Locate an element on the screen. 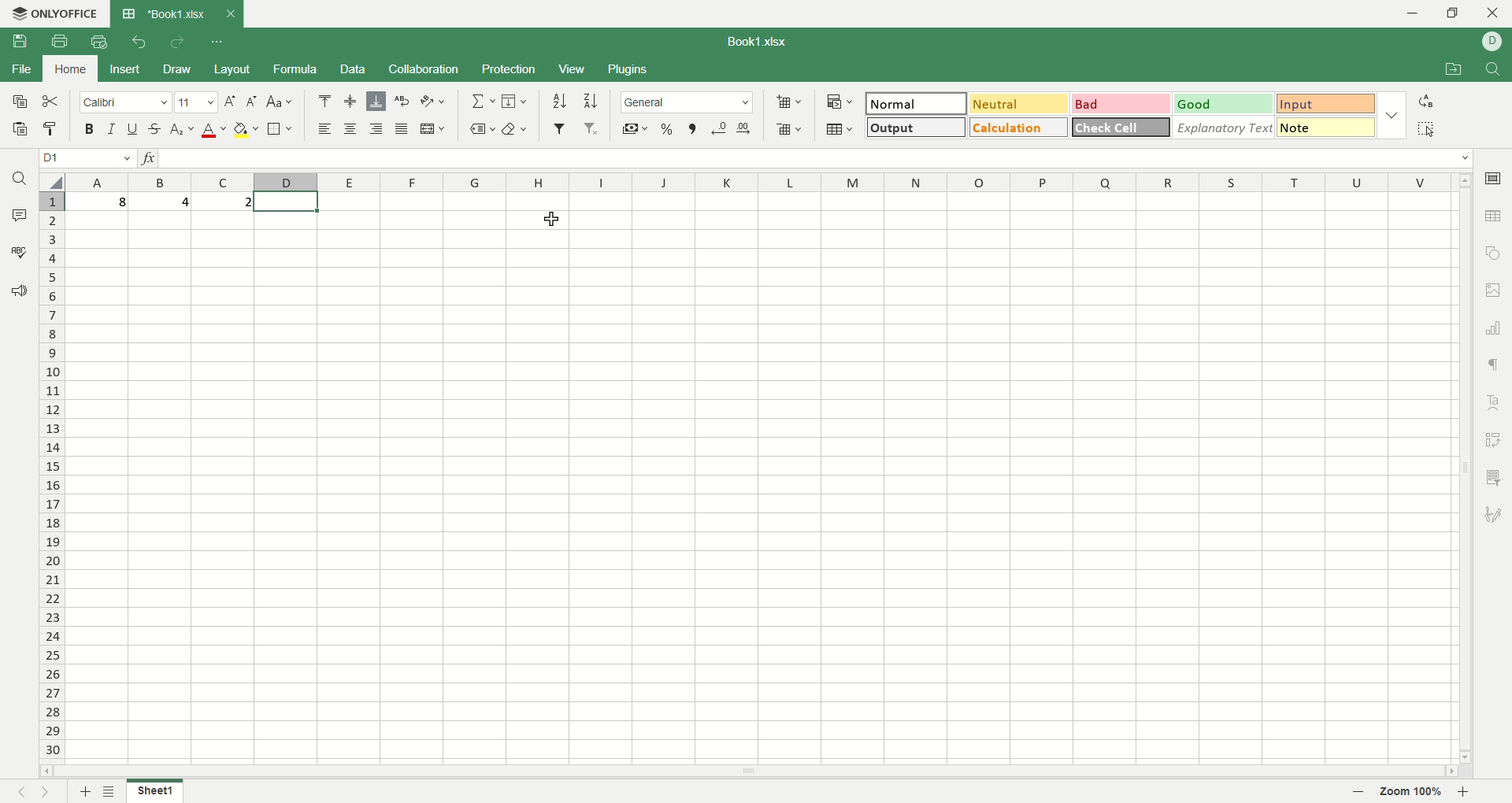  spell check is located at coordinates (18, 250).